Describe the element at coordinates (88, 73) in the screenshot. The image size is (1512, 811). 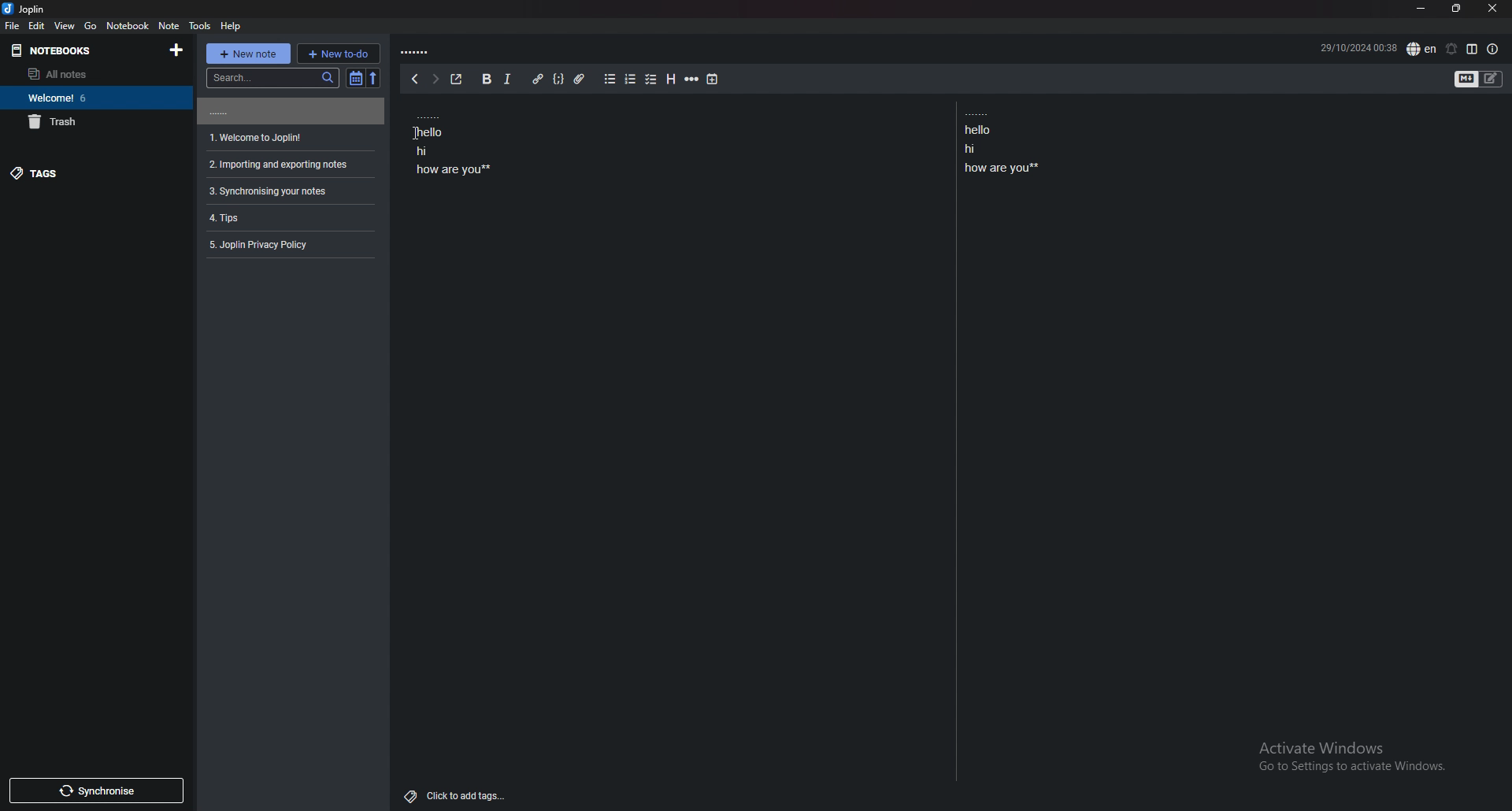
I see `all notes` at that location.